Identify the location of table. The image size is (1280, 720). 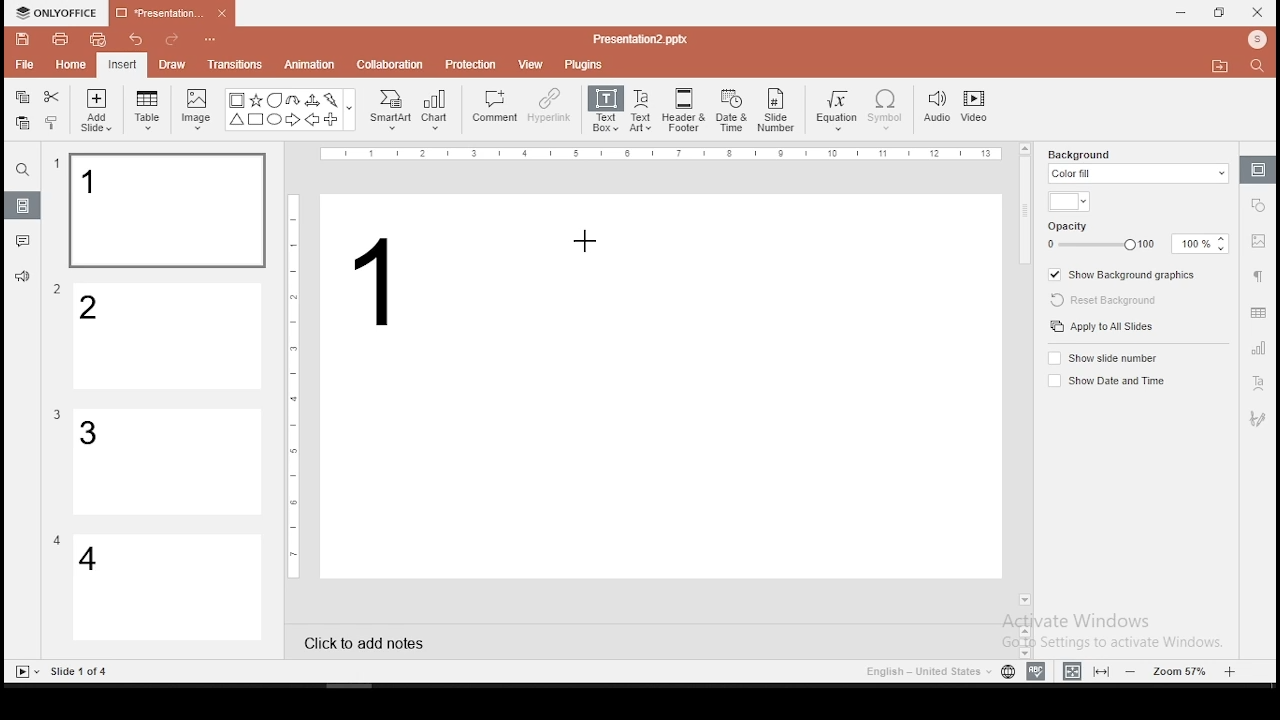
(150, 111).